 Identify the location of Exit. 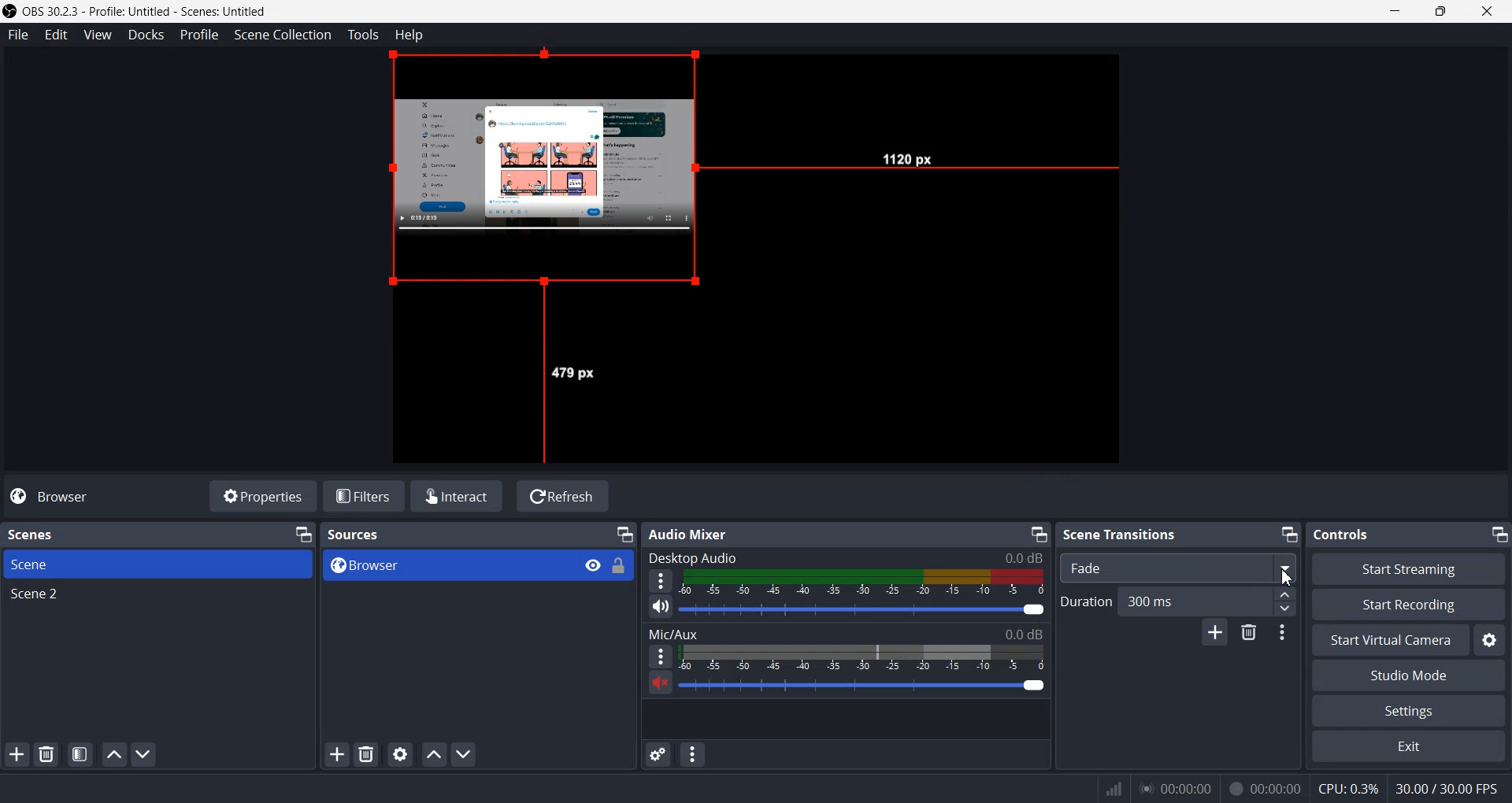
(1408, 746).